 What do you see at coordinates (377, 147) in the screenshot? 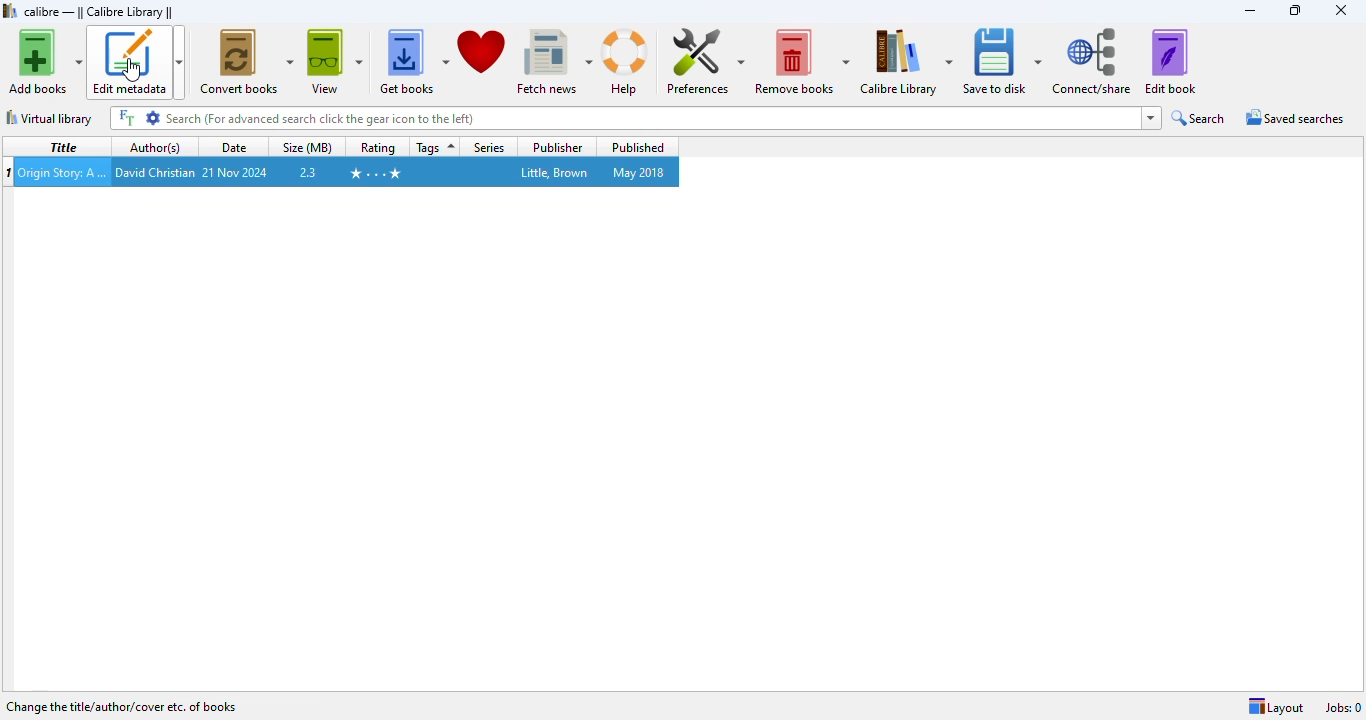
I see `rating` at bounding box center [377, 147].